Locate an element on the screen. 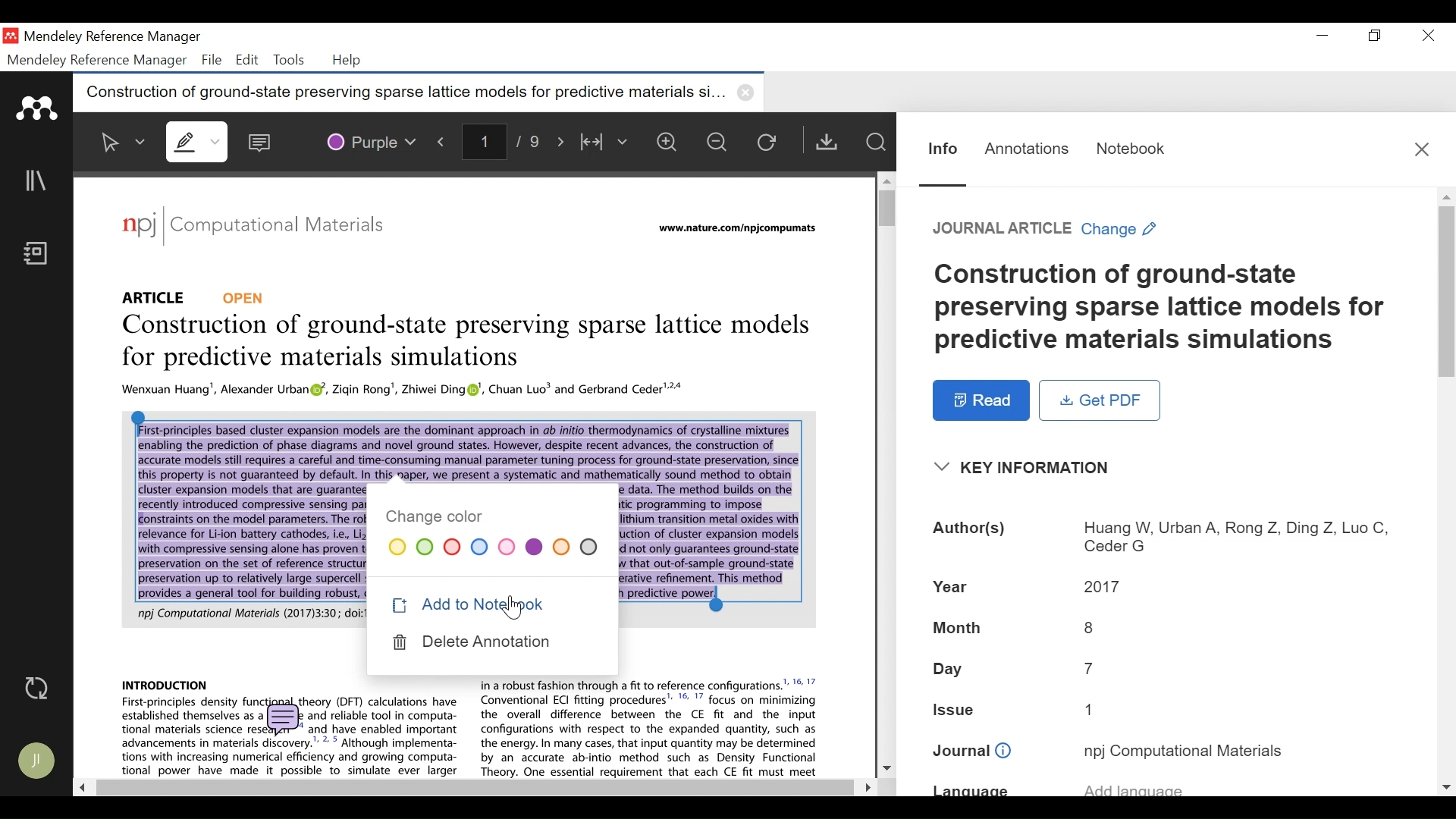 The height and width of the screenshot is (819, 1456). Find in Files is located at coordinates (875, 142).